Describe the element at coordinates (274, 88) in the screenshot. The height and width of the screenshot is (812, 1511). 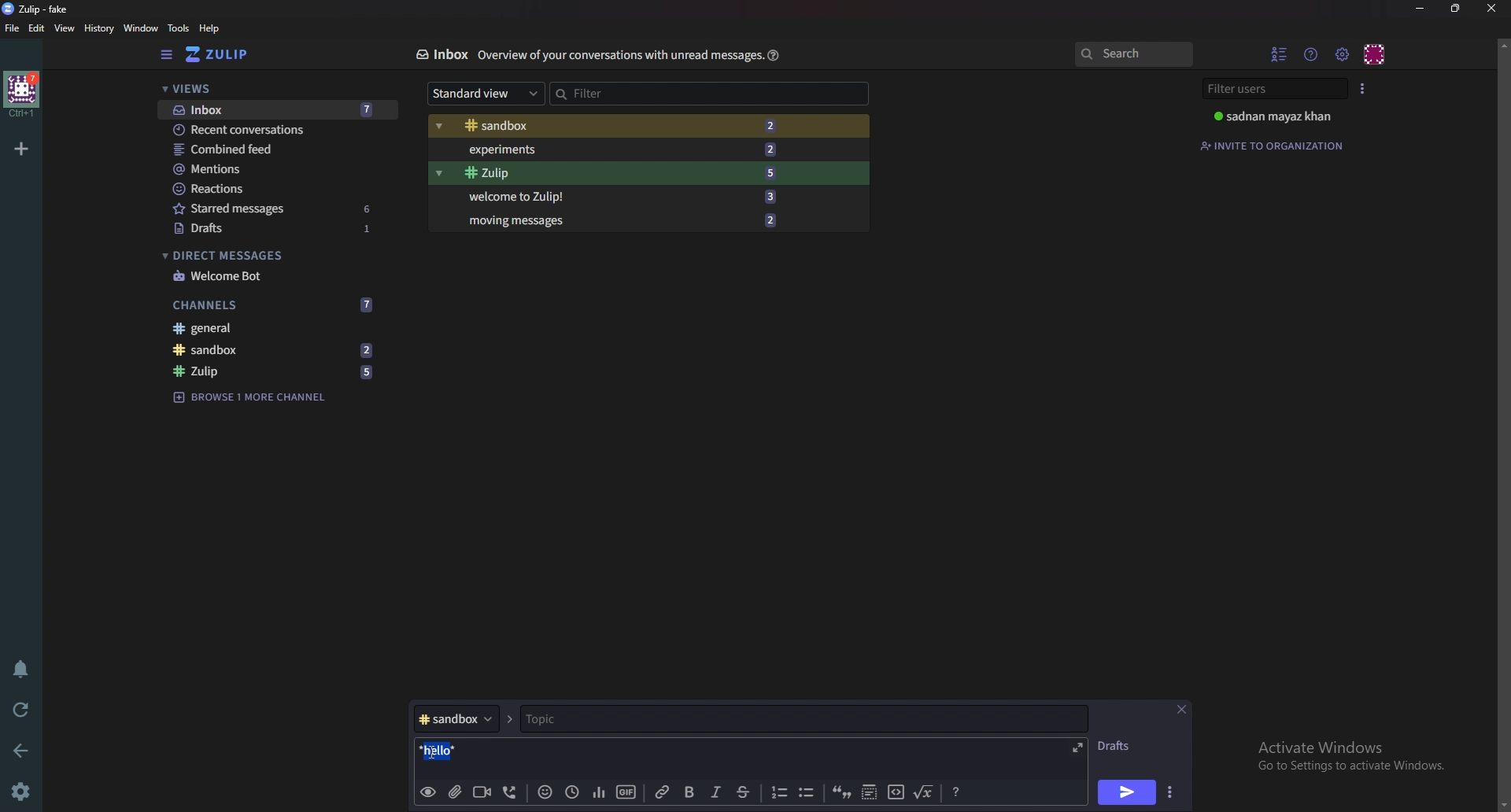
I see `views` at that location.